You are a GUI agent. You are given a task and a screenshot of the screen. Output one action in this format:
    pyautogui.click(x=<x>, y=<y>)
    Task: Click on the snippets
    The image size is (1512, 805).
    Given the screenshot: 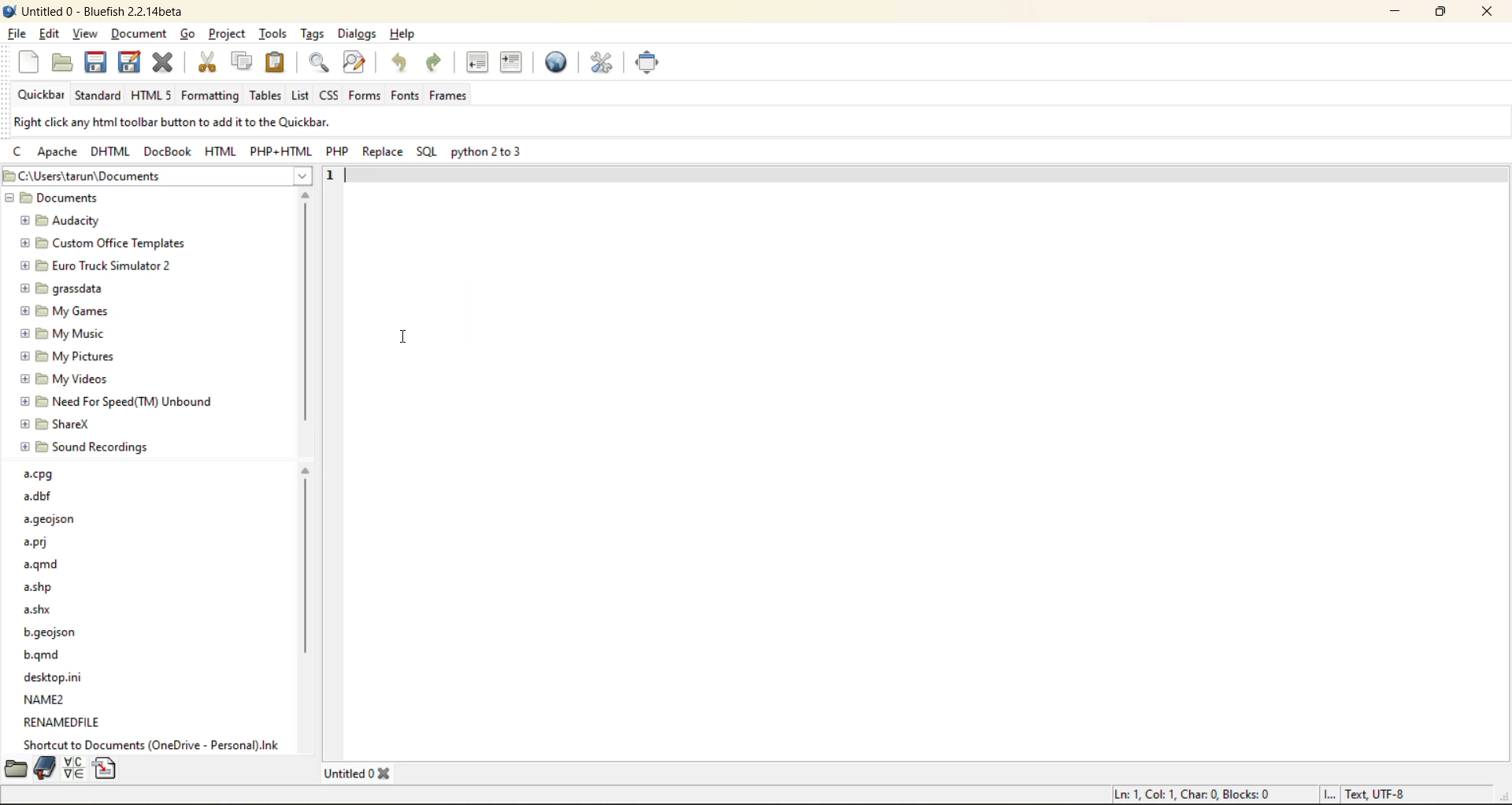 What is the action you would take?
    pyautogui.click(x=106, y=768)
    